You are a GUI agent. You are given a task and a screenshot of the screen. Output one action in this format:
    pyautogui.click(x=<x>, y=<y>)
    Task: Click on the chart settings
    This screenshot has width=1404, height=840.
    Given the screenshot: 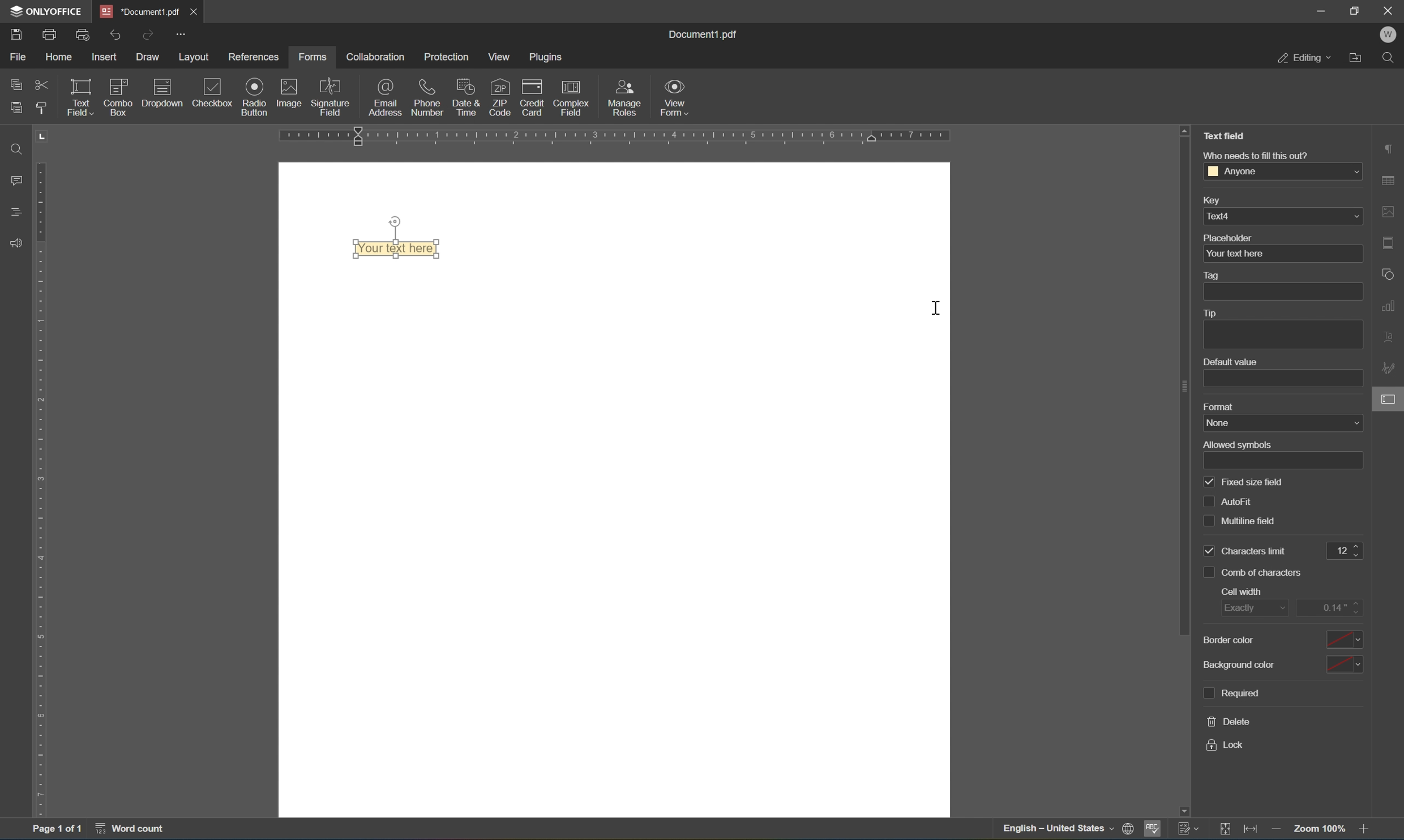 What is the action you would take?
    pyautogui.click(x=1392, y=306)
    